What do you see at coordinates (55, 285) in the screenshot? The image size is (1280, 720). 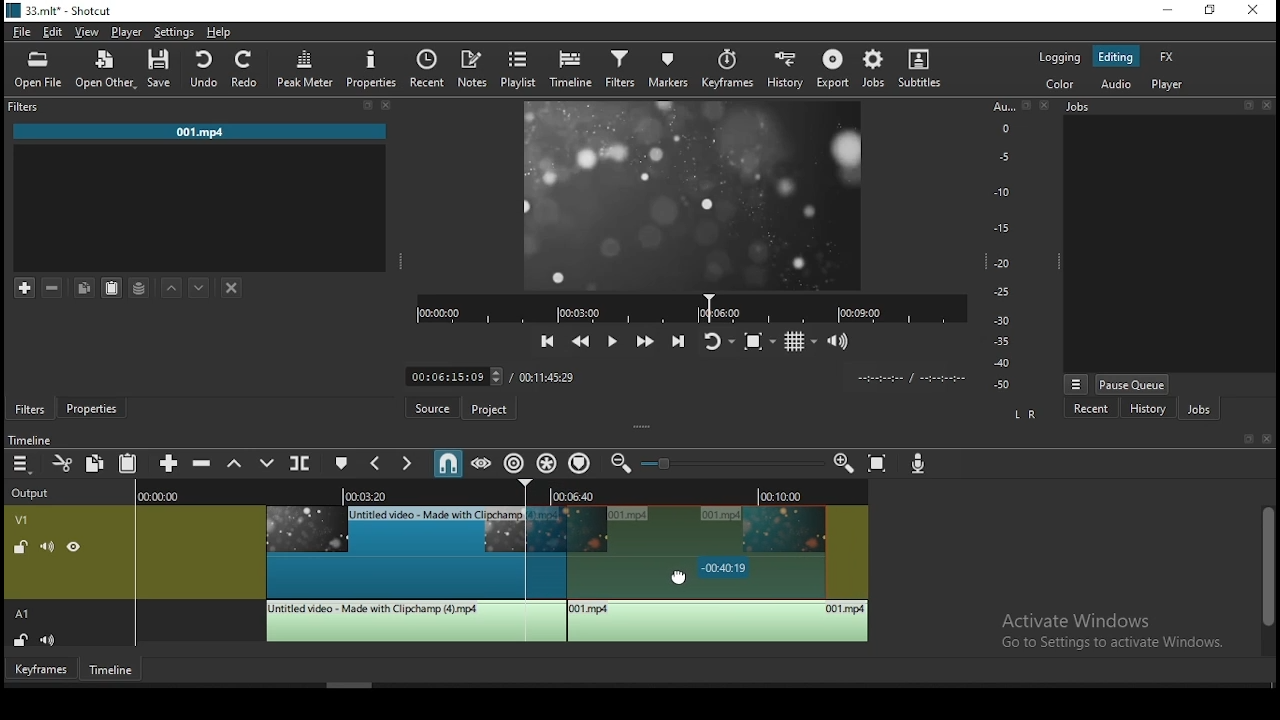 I see `remove selected filters` at bounding box center [55, 285].